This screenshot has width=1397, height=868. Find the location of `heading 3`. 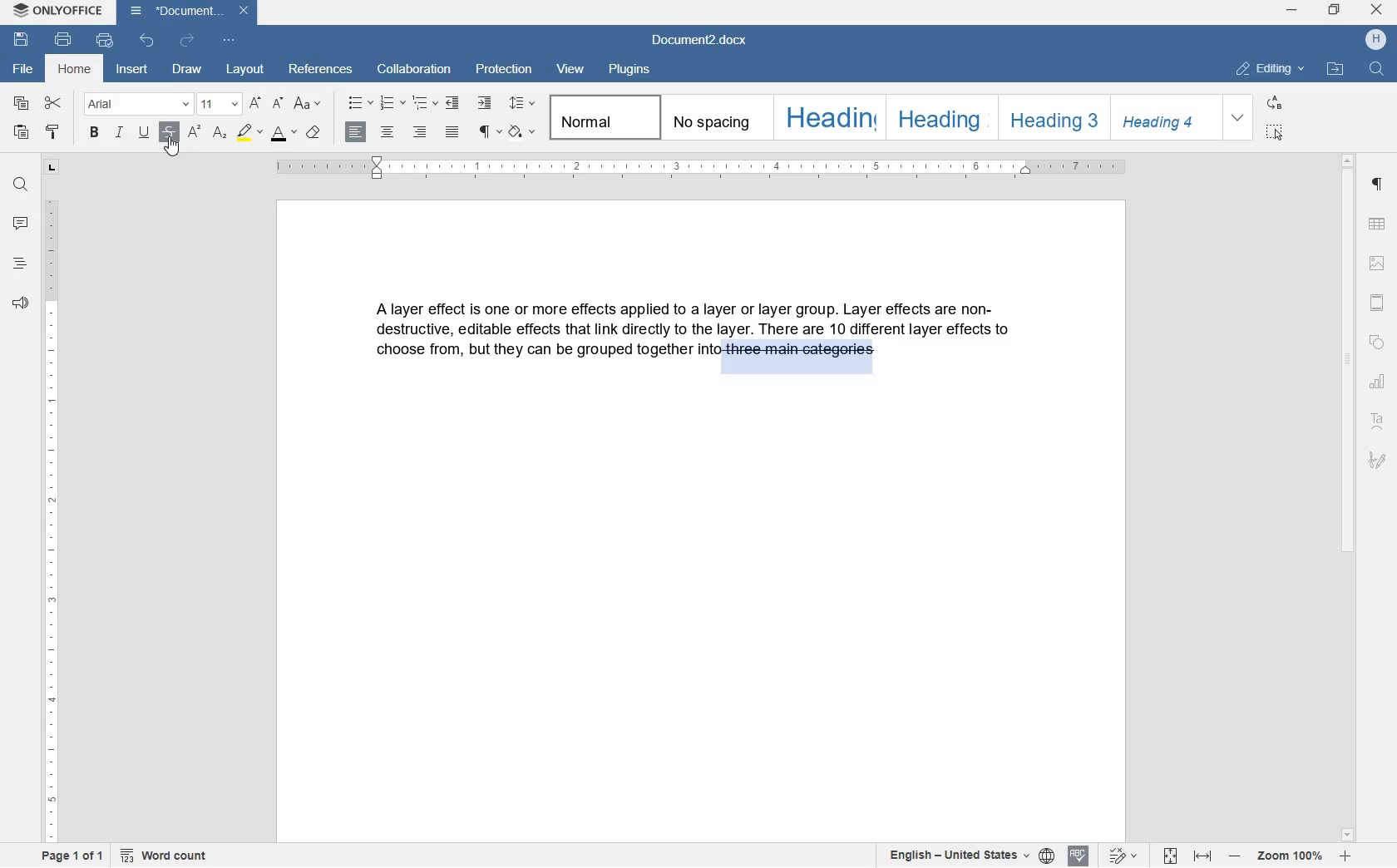

heading 3 is located at coordinates (1049, 116).